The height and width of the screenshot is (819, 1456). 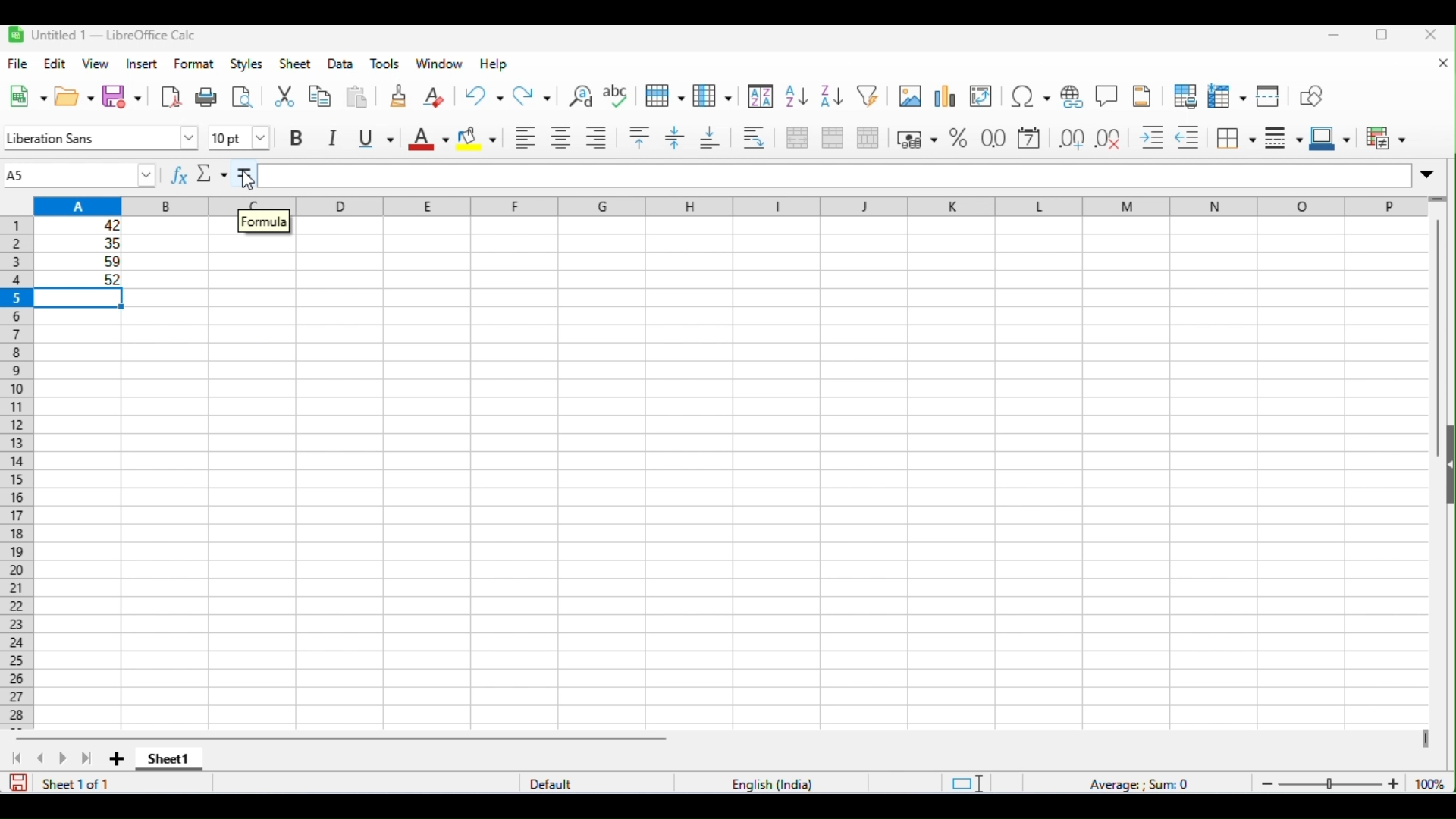 What do you see at coordinates (1072, 96) in the screenshot?
I see `insert hyperlink` at bounding box center [1072, 96].